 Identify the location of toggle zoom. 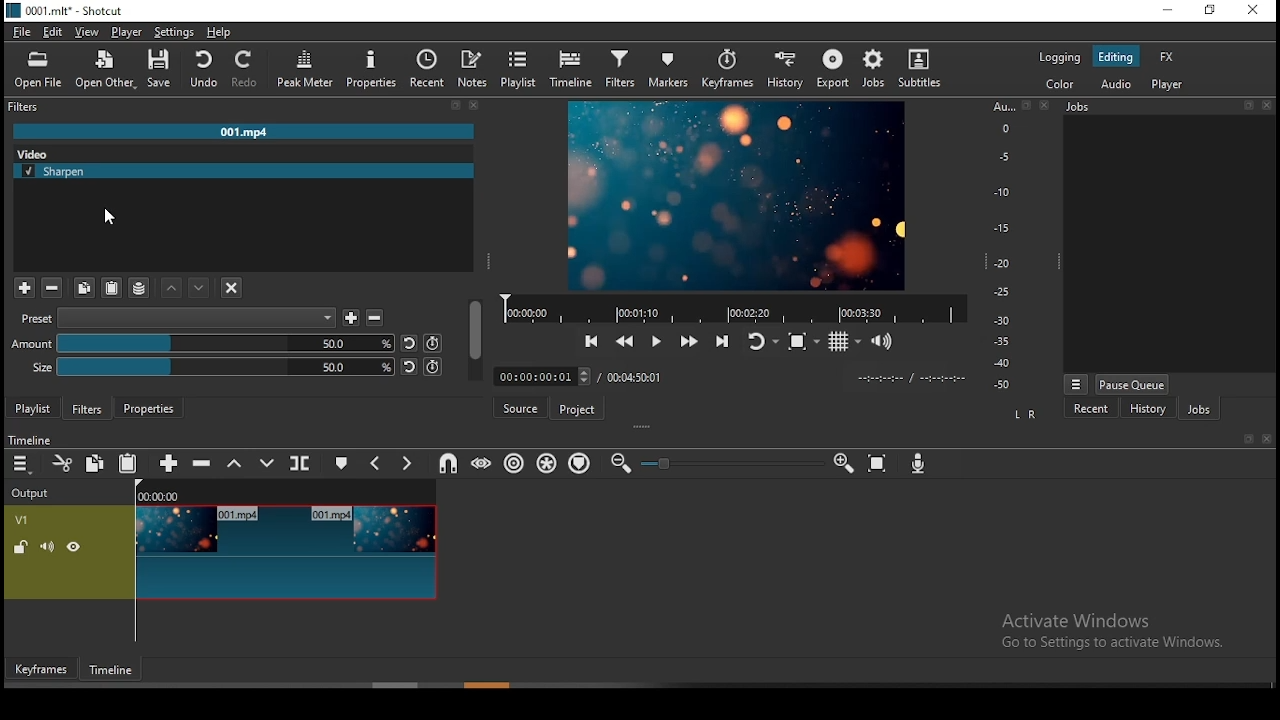
(799, 342).